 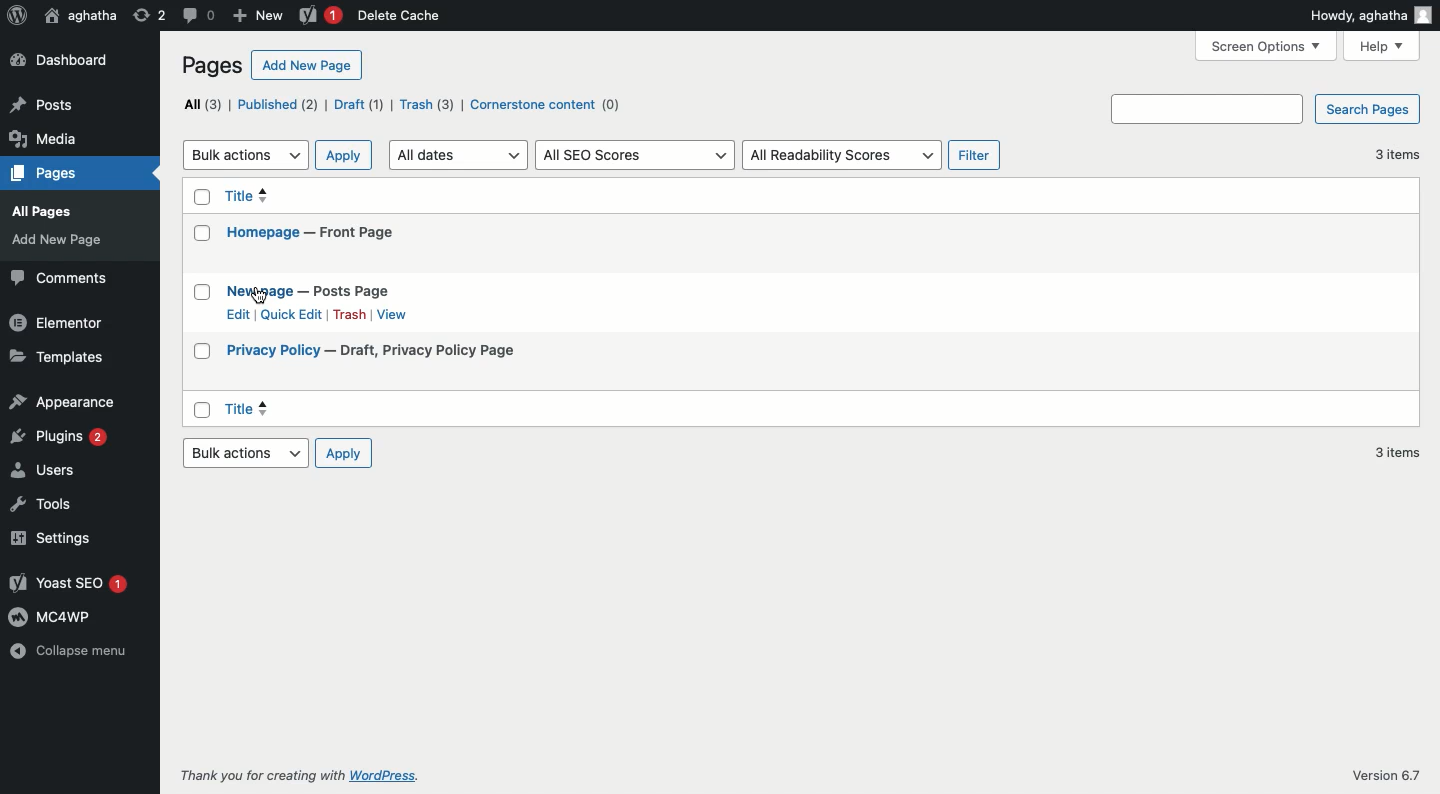 What do you see at coordinates (314, 200) in the screenshot?
I see `Title` at bounding box center [314, 200].